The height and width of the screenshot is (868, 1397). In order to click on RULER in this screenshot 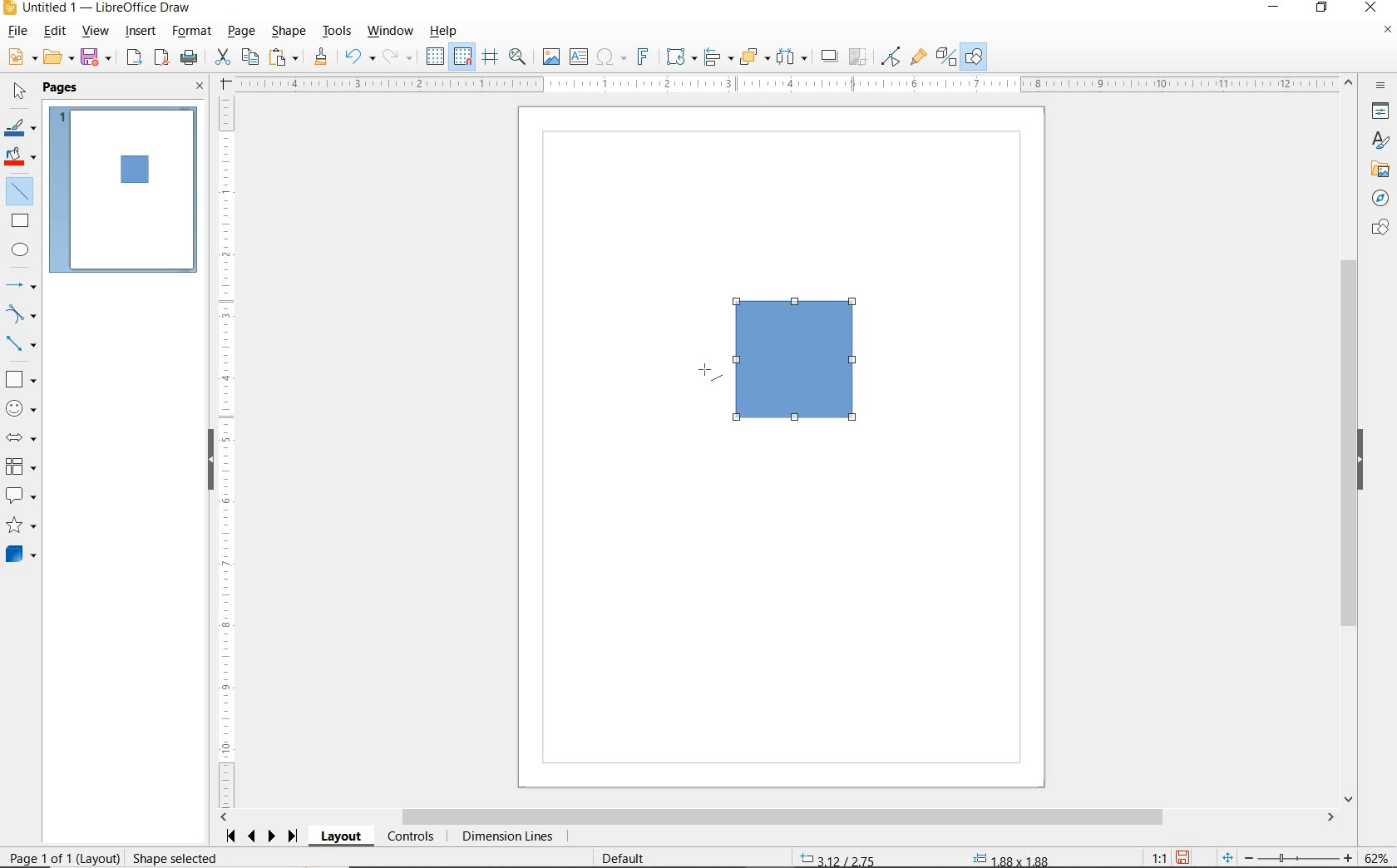, I will do `click(787, 84)`.